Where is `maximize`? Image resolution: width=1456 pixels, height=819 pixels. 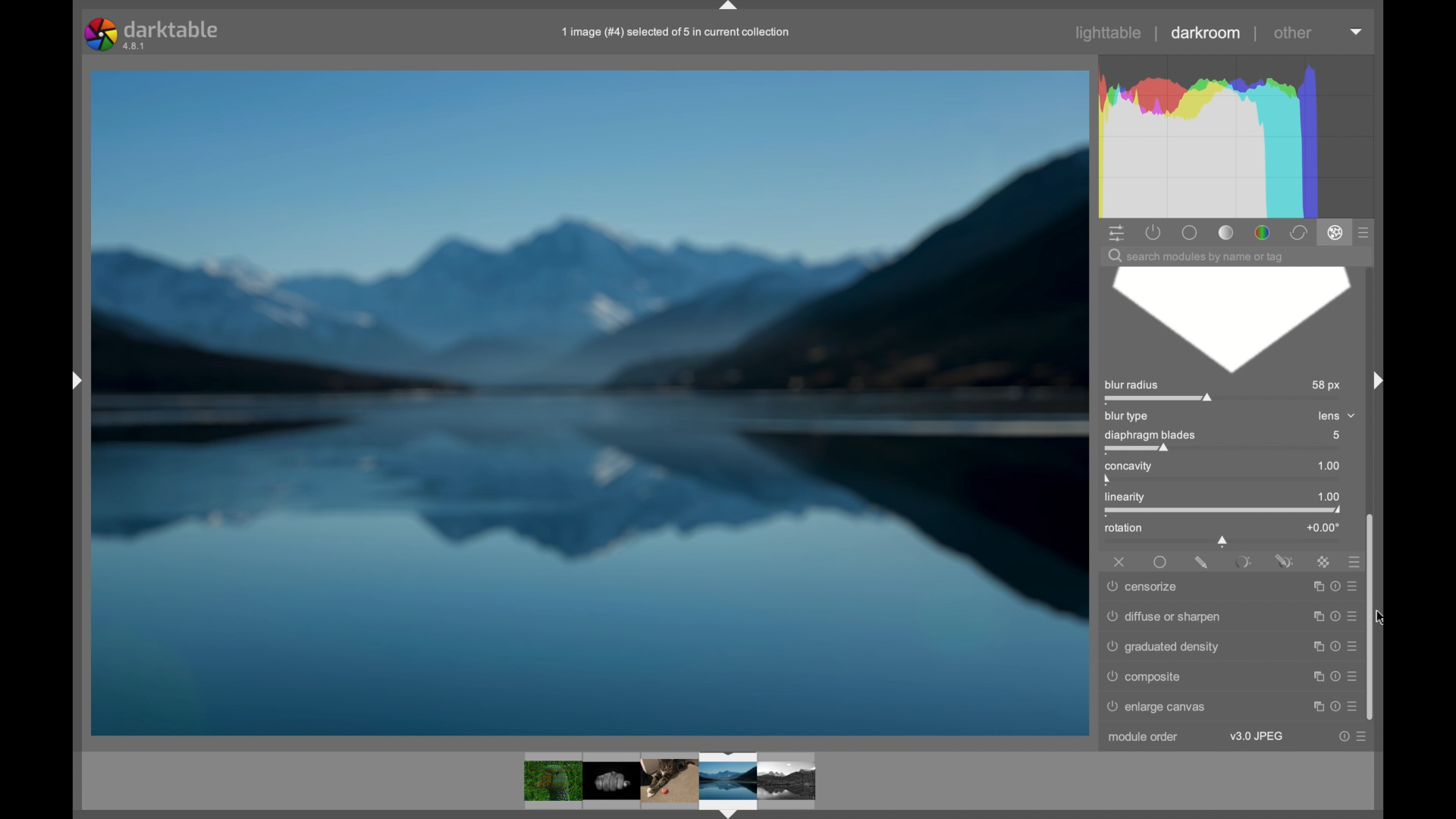
maximize is located at coordinates (1316, 585).